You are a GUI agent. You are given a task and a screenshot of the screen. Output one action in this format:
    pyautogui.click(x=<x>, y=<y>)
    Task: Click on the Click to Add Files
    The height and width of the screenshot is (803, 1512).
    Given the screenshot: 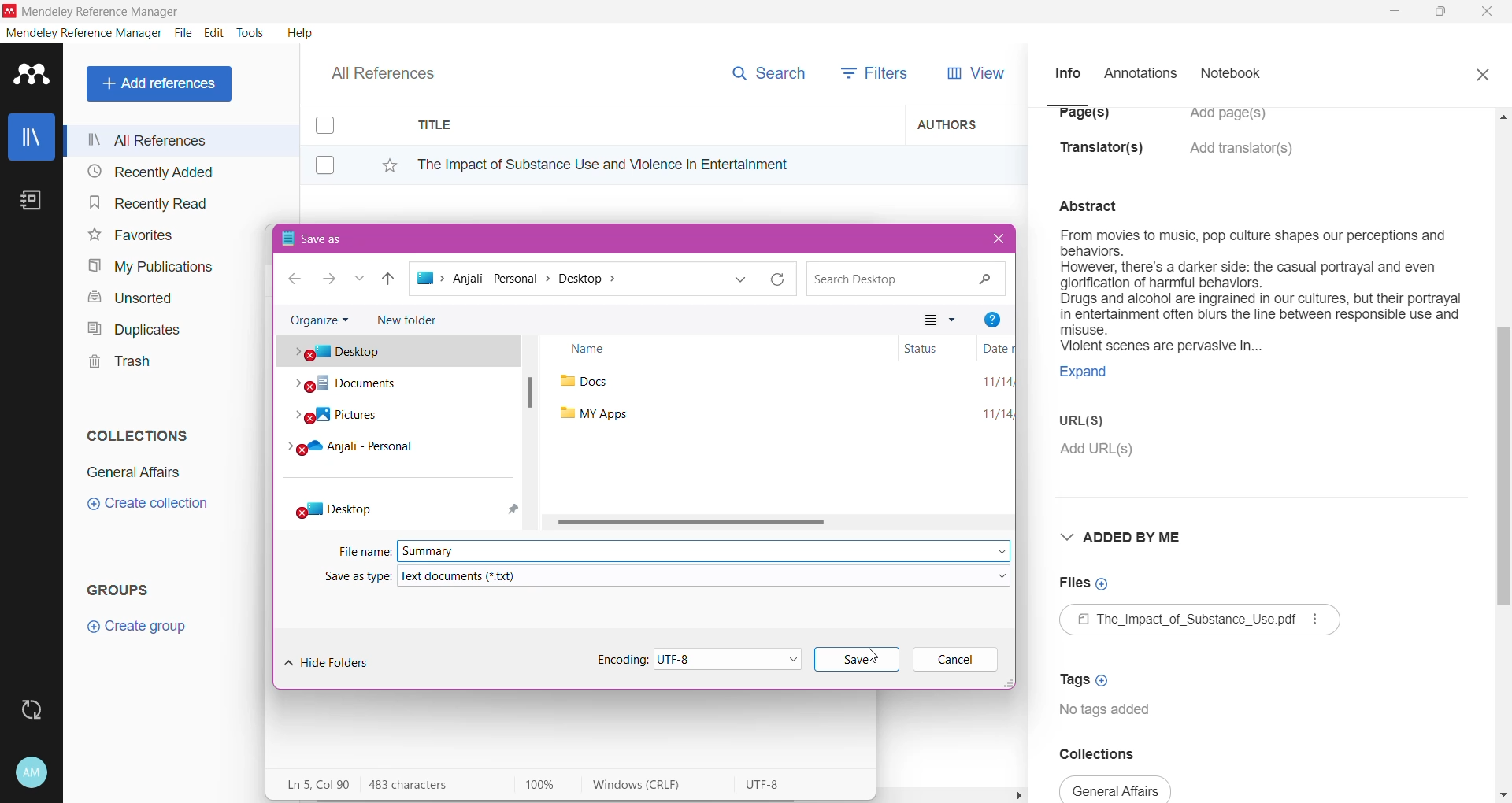 What is the action you would take?
    pyautogui.click(x=1084, y=584)
    